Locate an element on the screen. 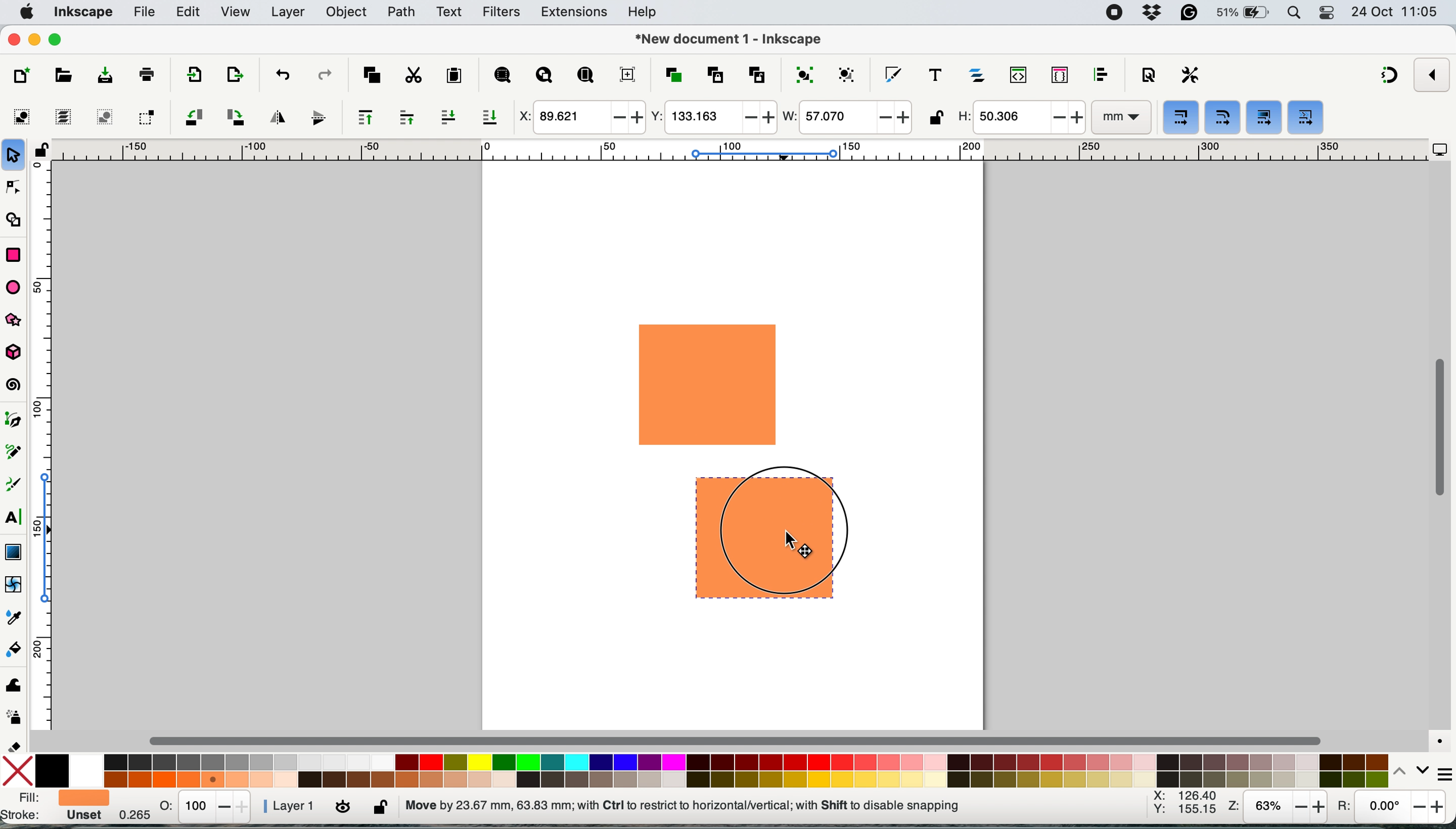 This screenshot has height=829, width=1456. when scaling objects scale the stroke width by same proportion is located at coordinates (1182, 118).